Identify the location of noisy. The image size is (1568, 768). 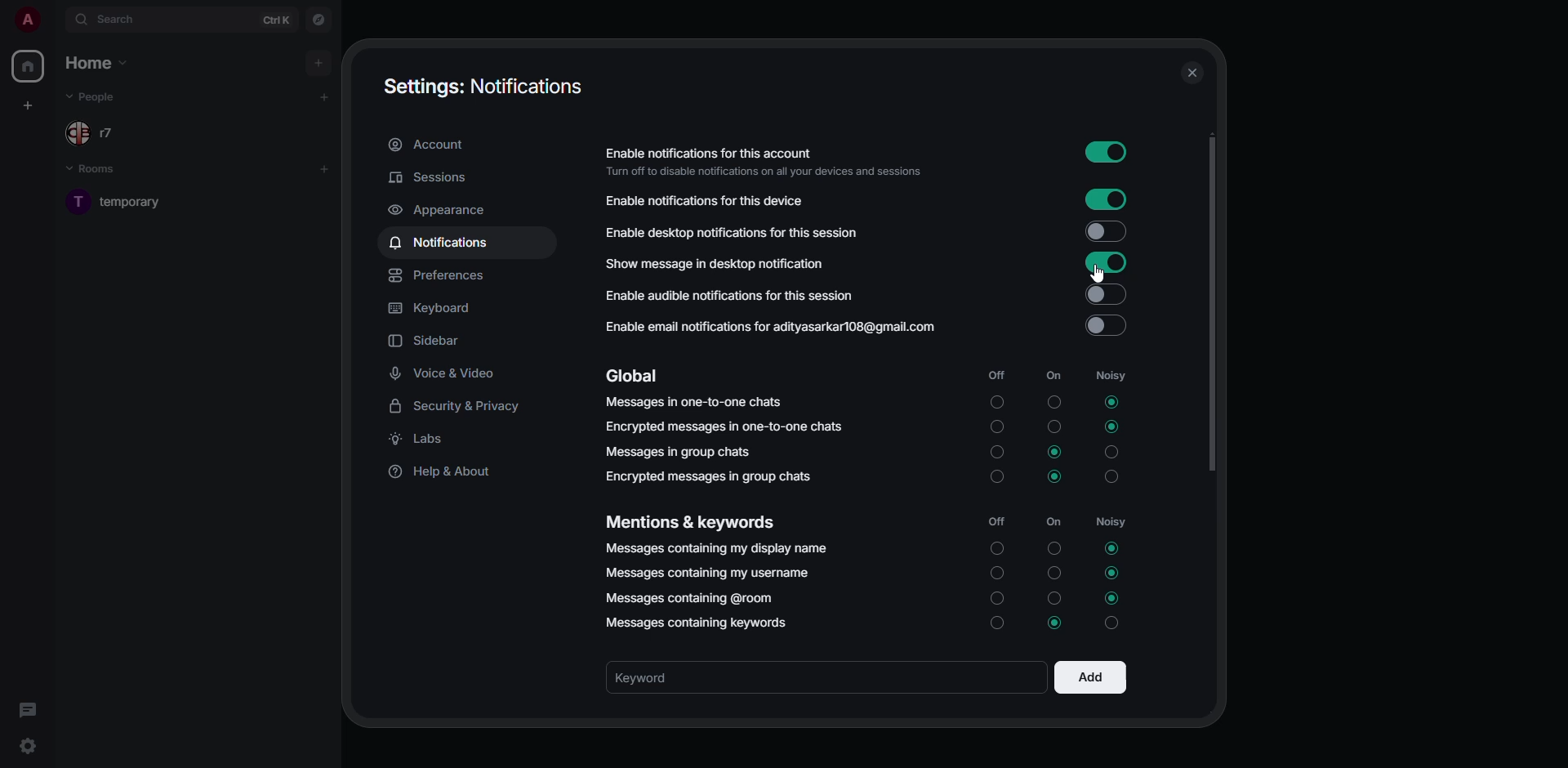
(1114, 480).